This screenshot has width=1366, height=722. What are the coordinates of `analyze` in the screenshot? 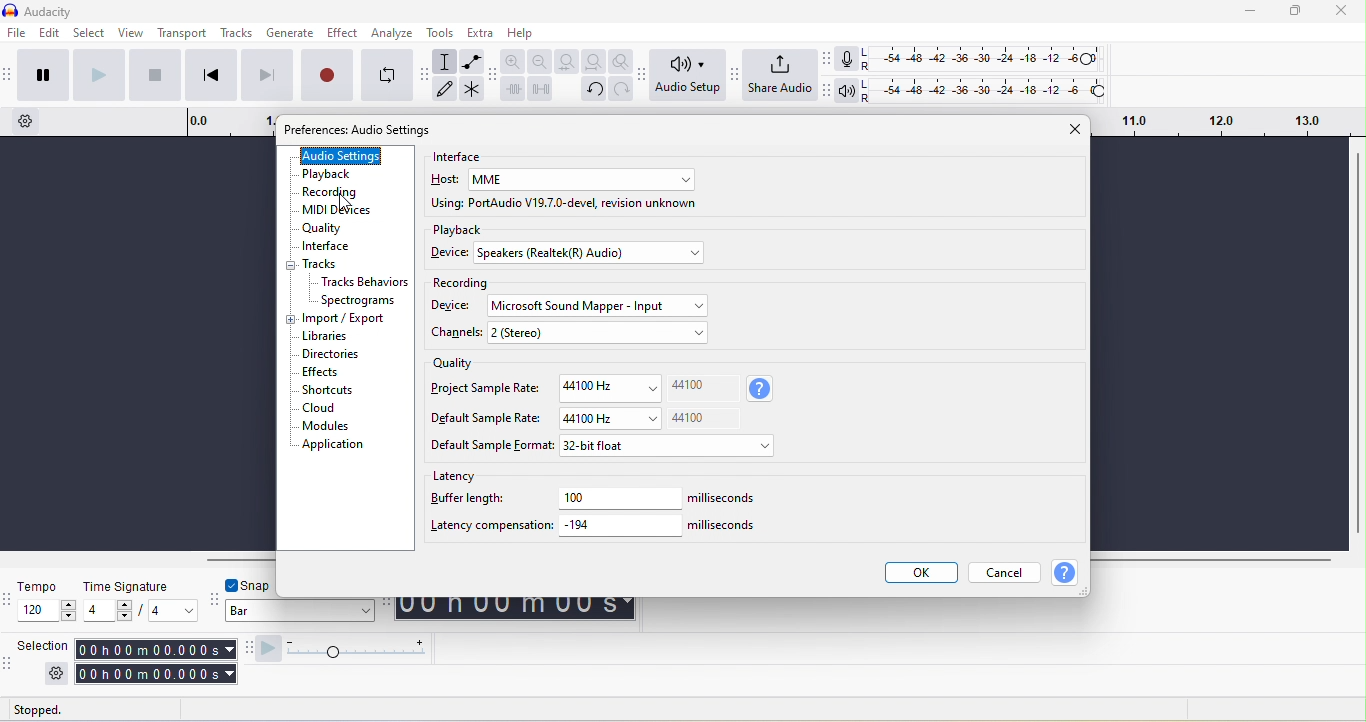 It's located at (392, 34).